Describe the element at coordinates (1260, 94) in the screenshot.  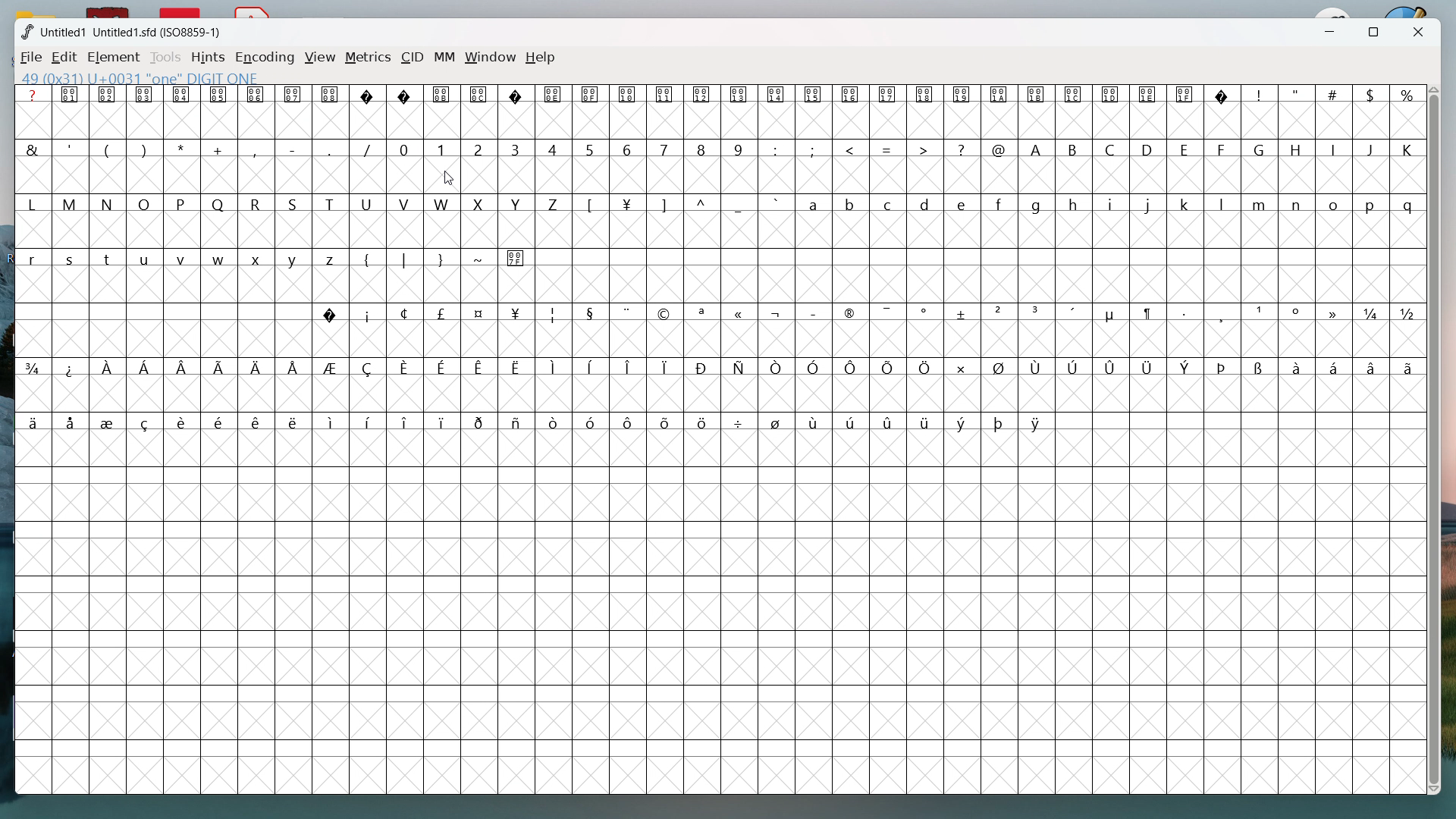
I see `!` at that location.